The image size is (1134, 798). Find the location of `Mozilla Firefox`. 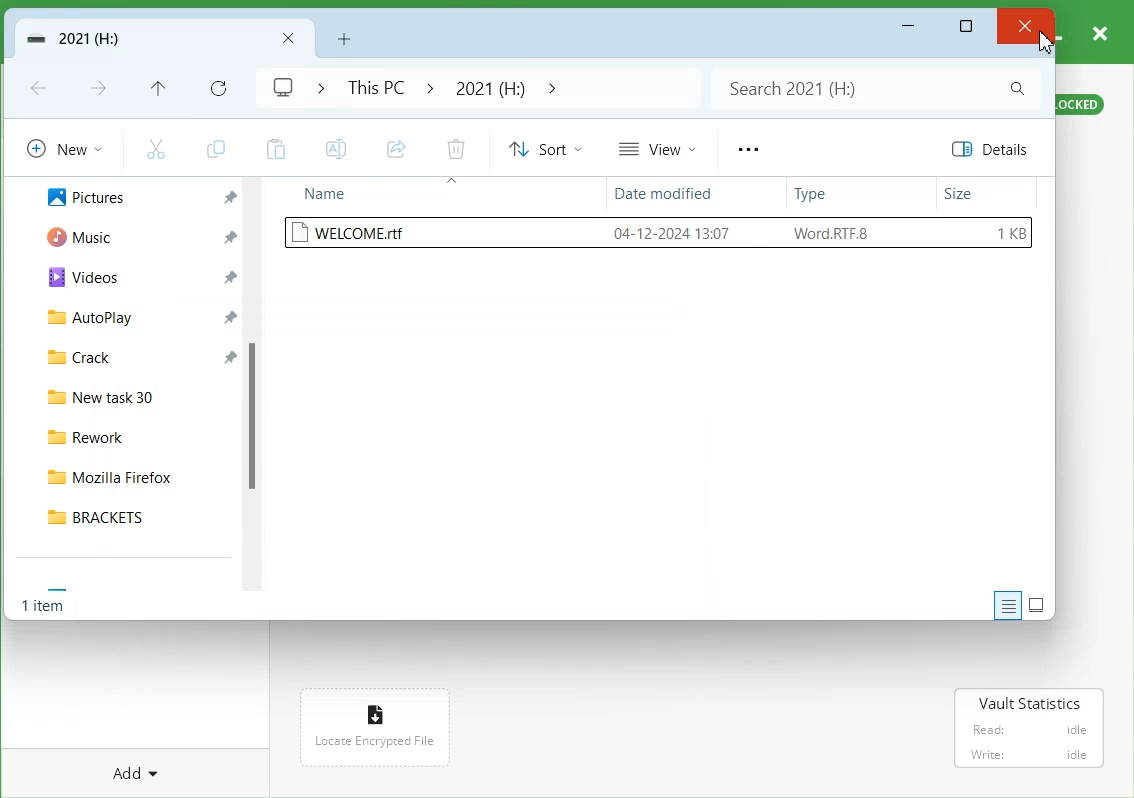

Mozilla Firefox is located at coordinates (135, 478).